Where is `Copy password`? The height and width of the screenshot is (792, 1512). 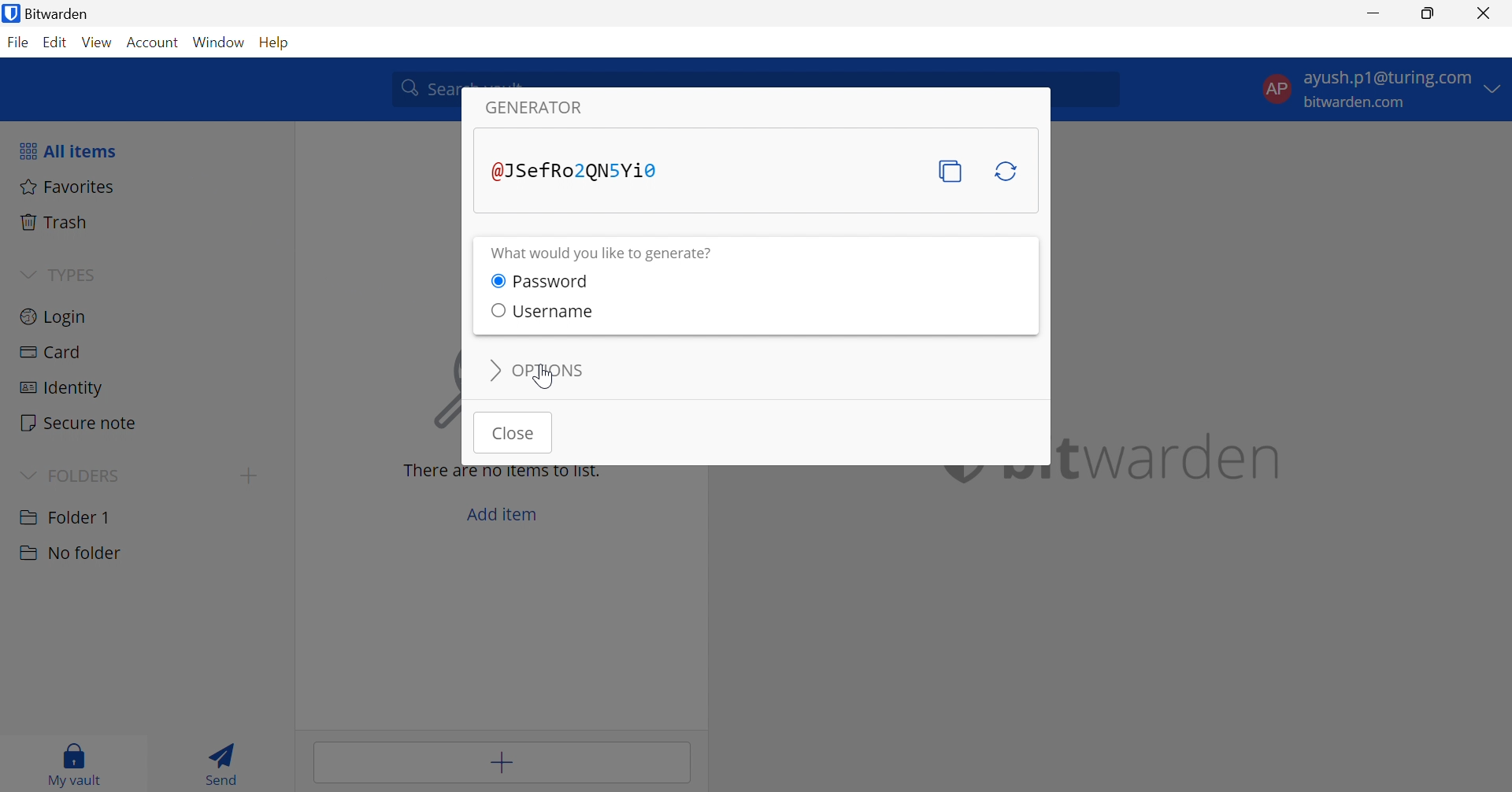
Copy password is located at coordinates (949, 172).